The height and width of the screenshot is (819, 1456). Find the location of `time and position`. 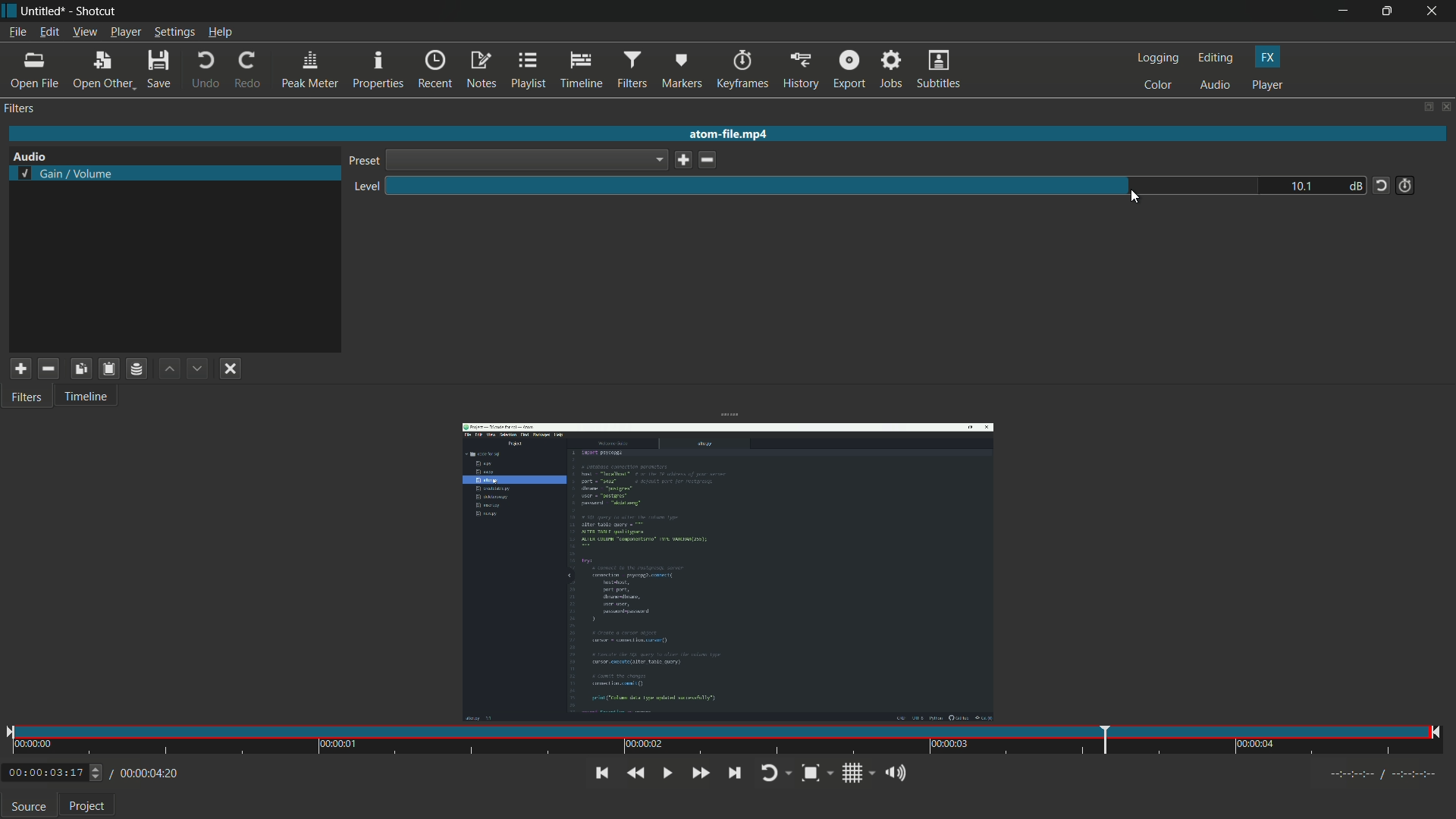

time and position is located at coordinates (726, 742).